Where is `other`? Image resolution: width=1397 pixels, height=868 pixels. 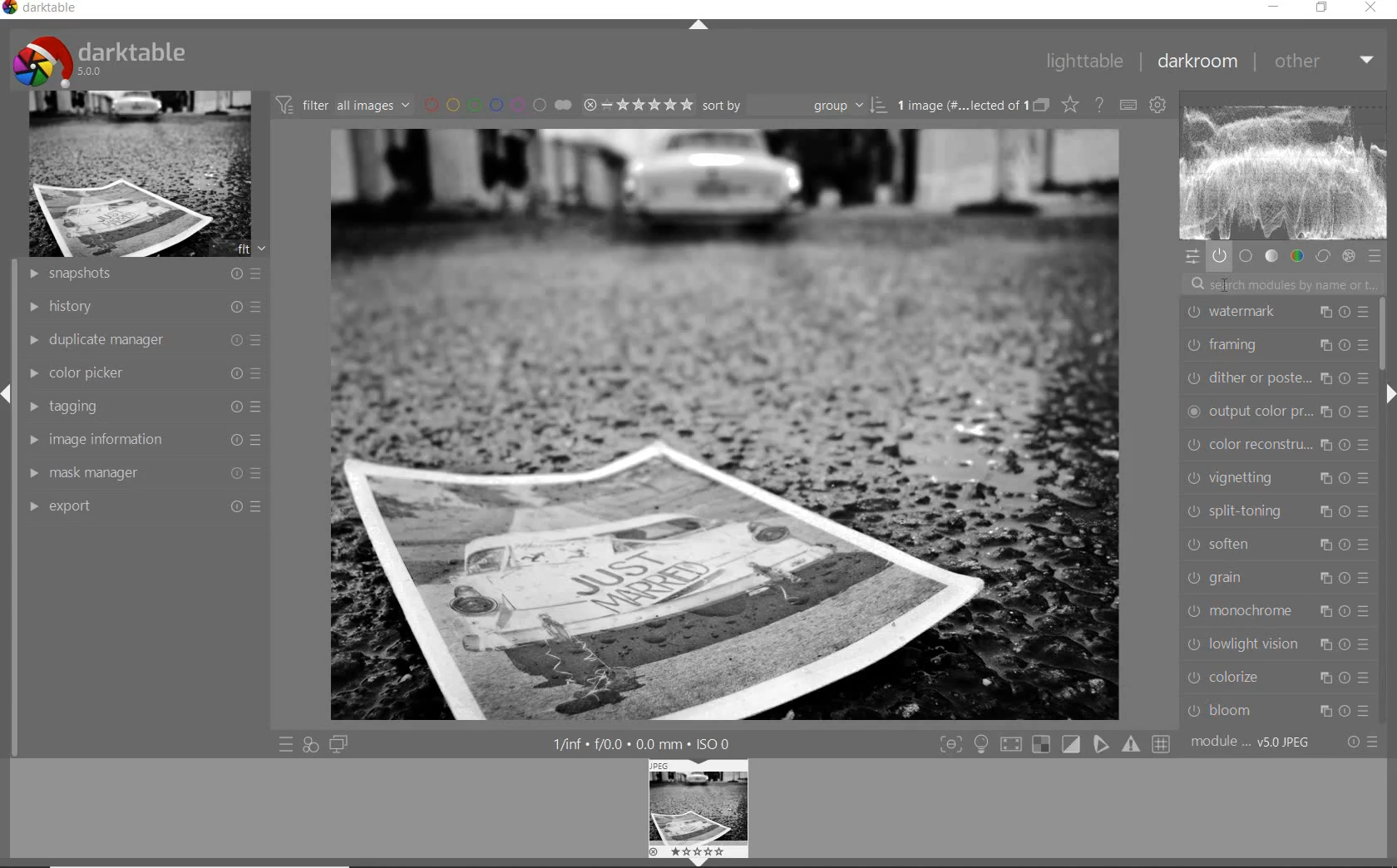 other is located at coordinates (1326, 62).